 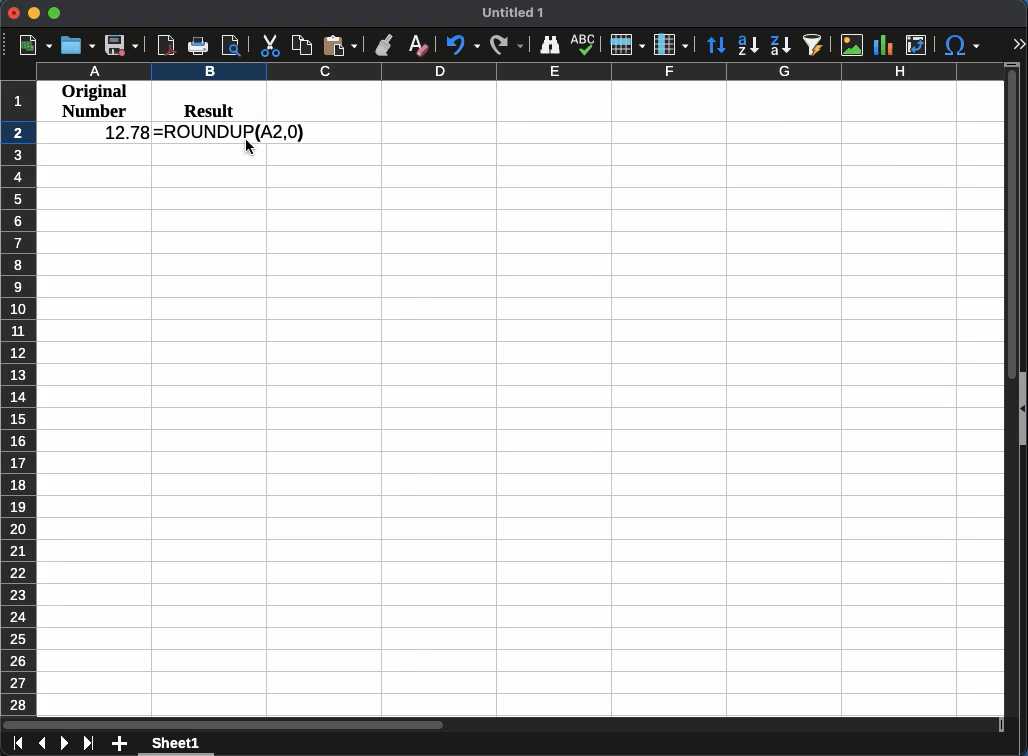 What do you see at coordinates (120, 743) in the screenshot?
I see `add sheet` at bounding box center [120, 743].